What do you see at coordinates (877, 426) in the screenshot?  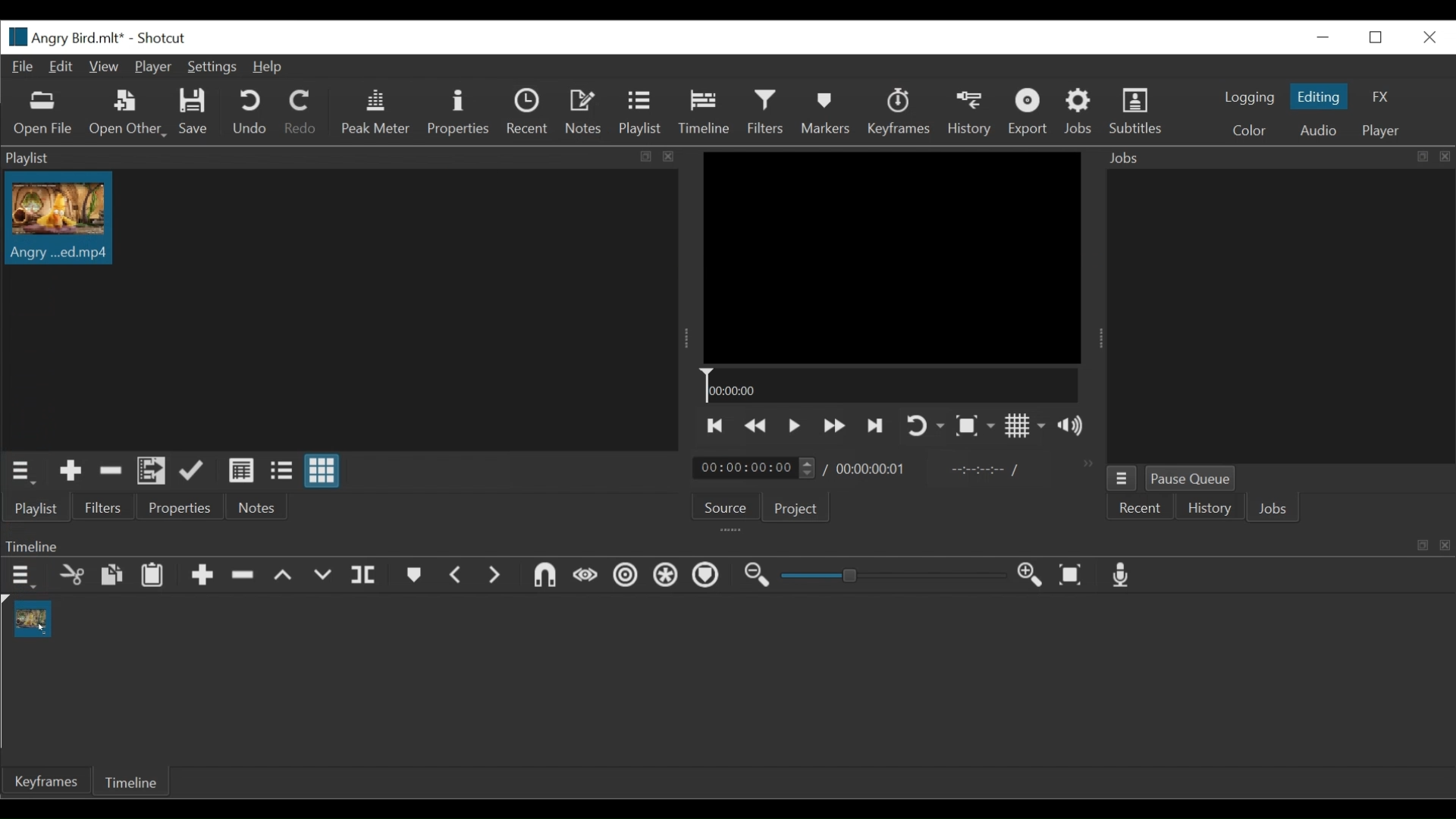 I see `Skip to the next point` at bounding box center [877, 426].